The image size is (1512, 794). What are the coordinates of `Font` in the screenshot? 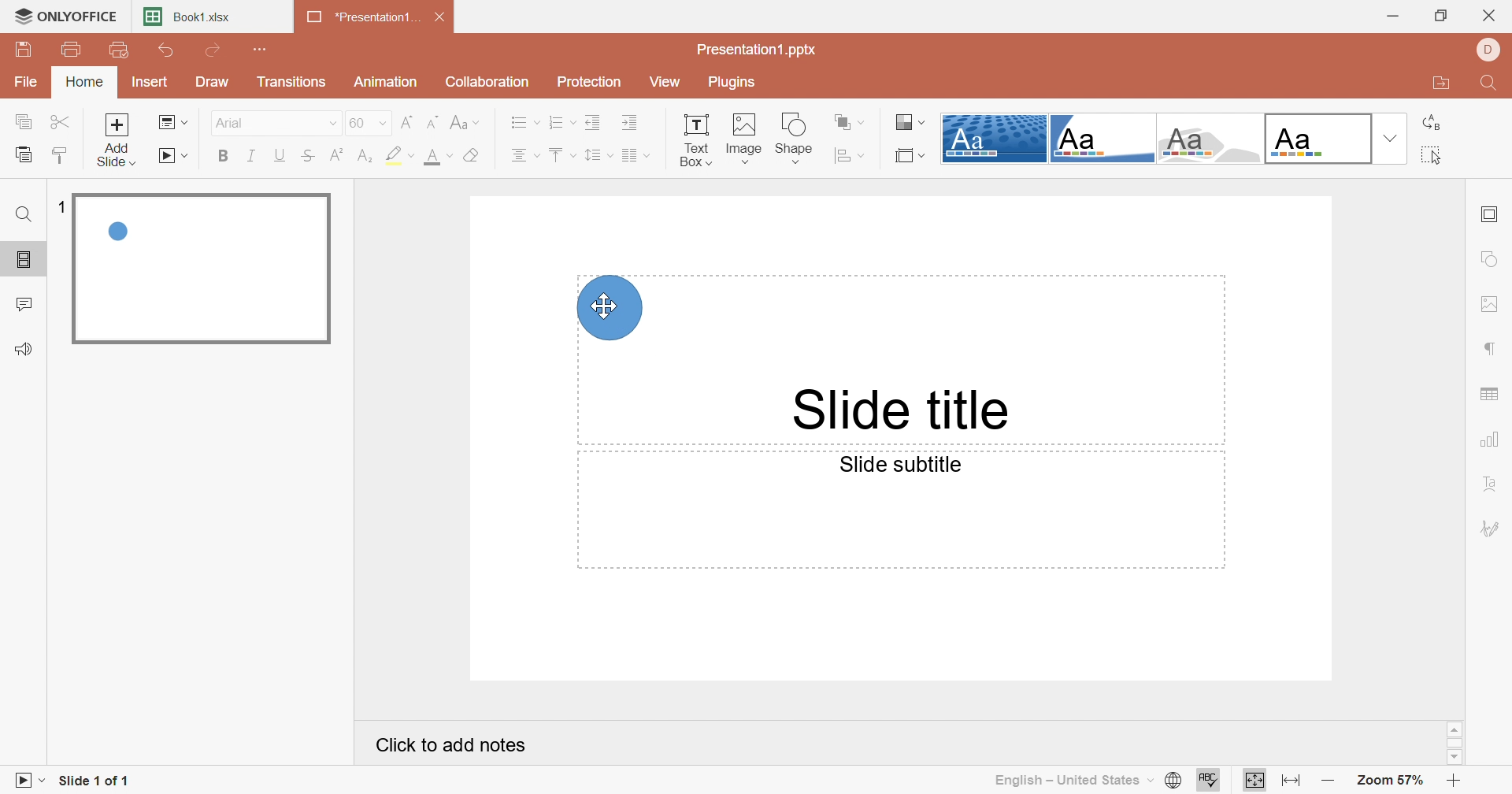 It's located at (268, 121).